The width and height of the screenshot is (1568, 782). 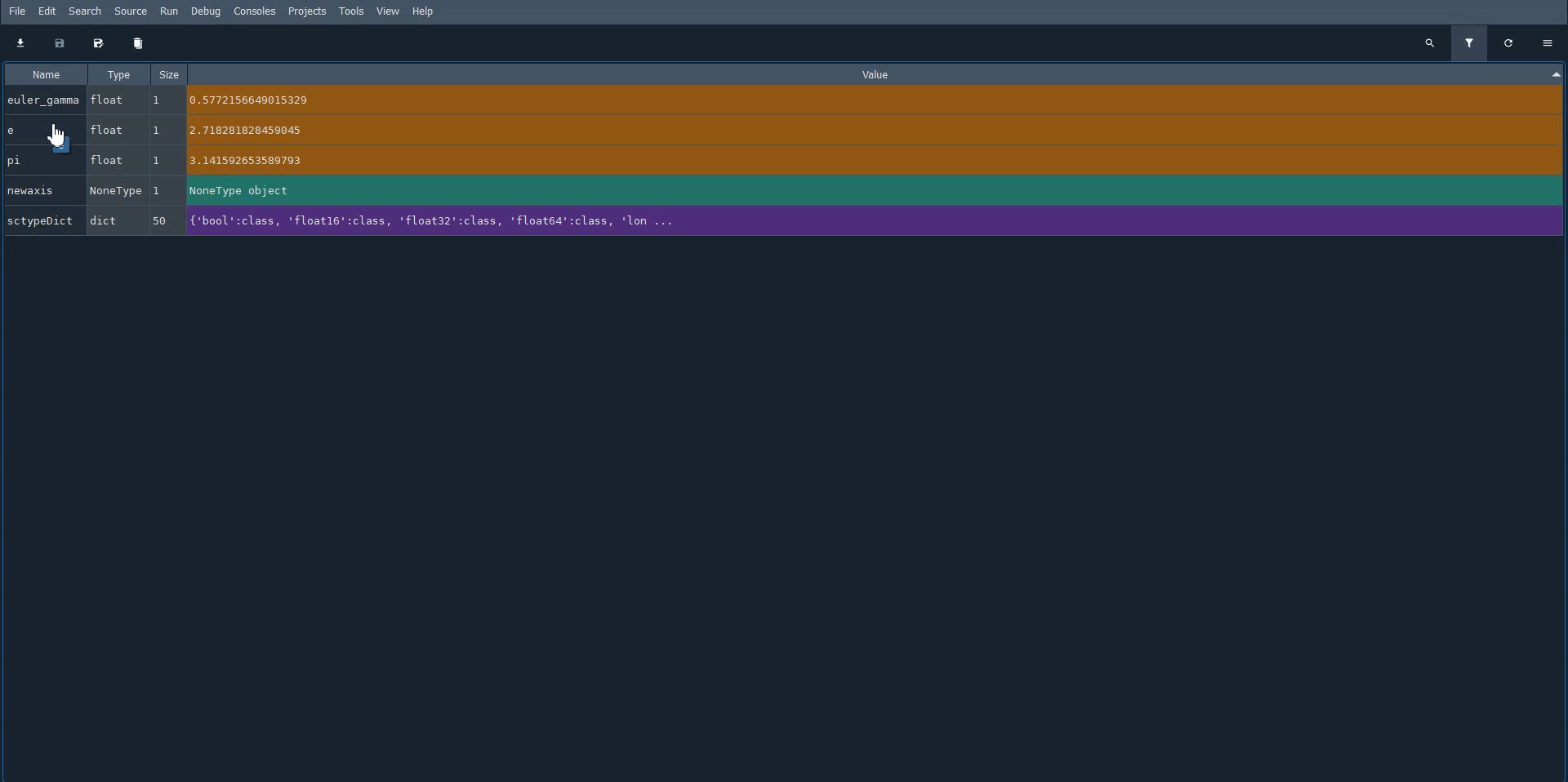 I want to click on Save data, so click(x=60, y=44).